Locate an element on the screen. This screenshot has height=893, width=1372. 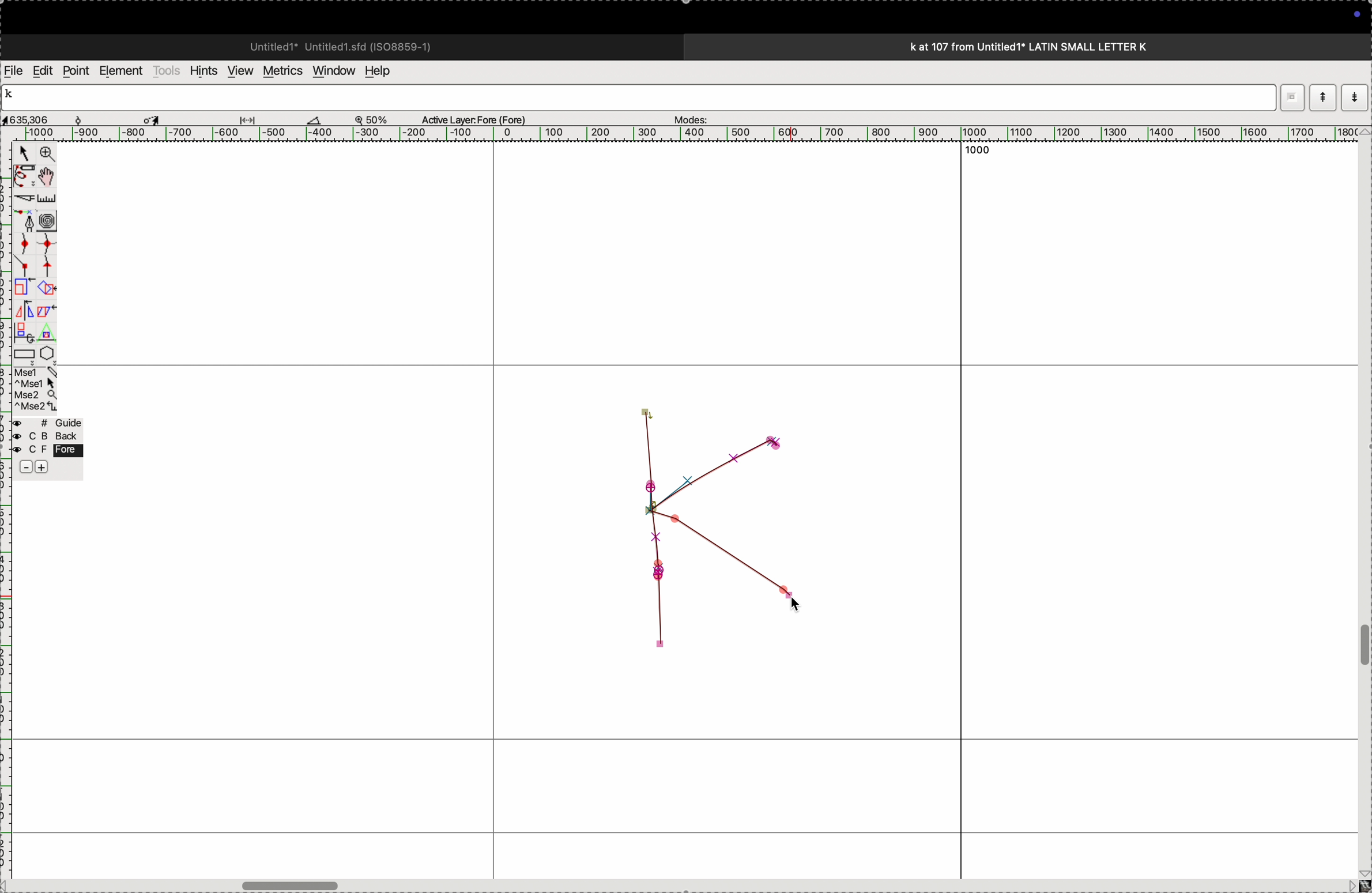
scale is located at coordinates (49, 198).